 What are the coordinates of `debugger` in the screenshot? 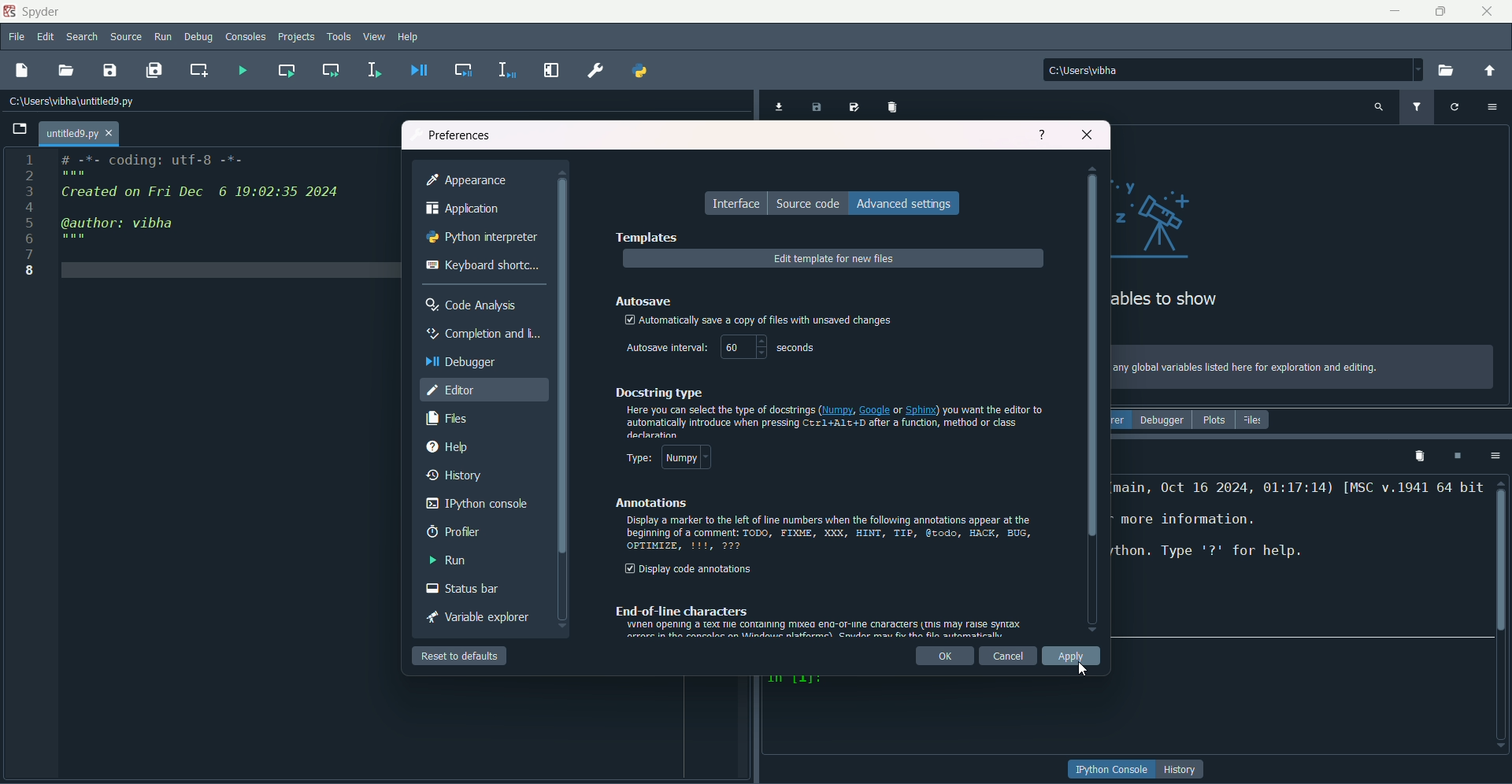 It's located at (461, 361).